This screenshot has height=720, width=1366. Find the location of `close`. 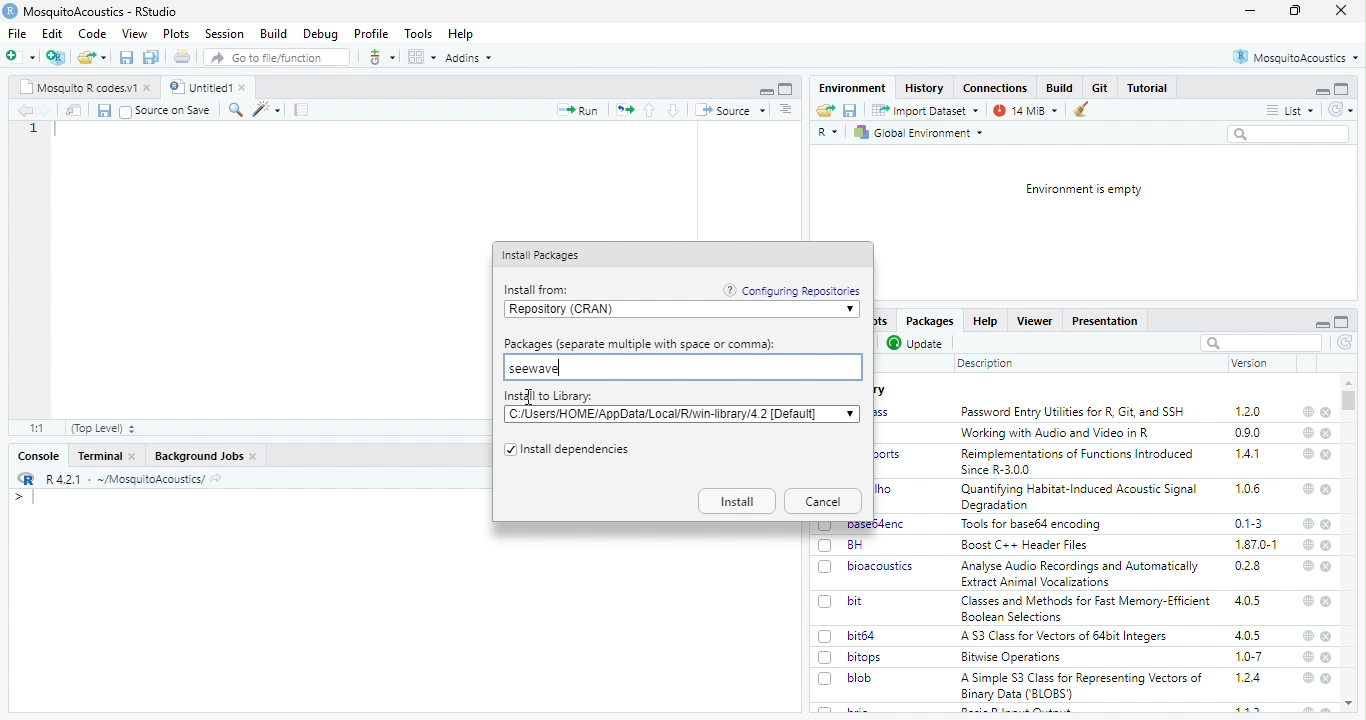

close is located at coordinates (245, 87).